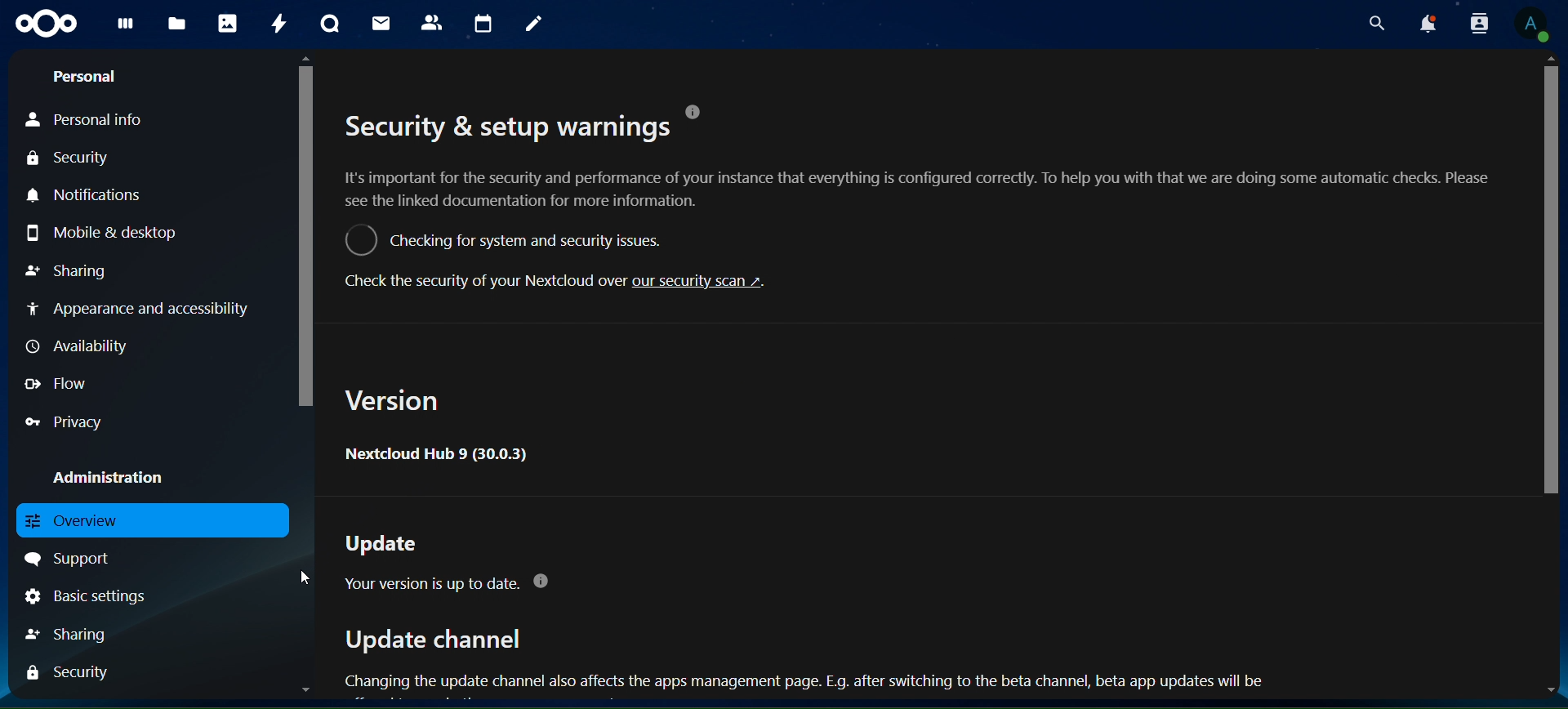 This screenshot has height=709, width=1568. What do you see at coordinates (330, 24) in the screenshot?
I see `talk` at bounding box center [330, 24].